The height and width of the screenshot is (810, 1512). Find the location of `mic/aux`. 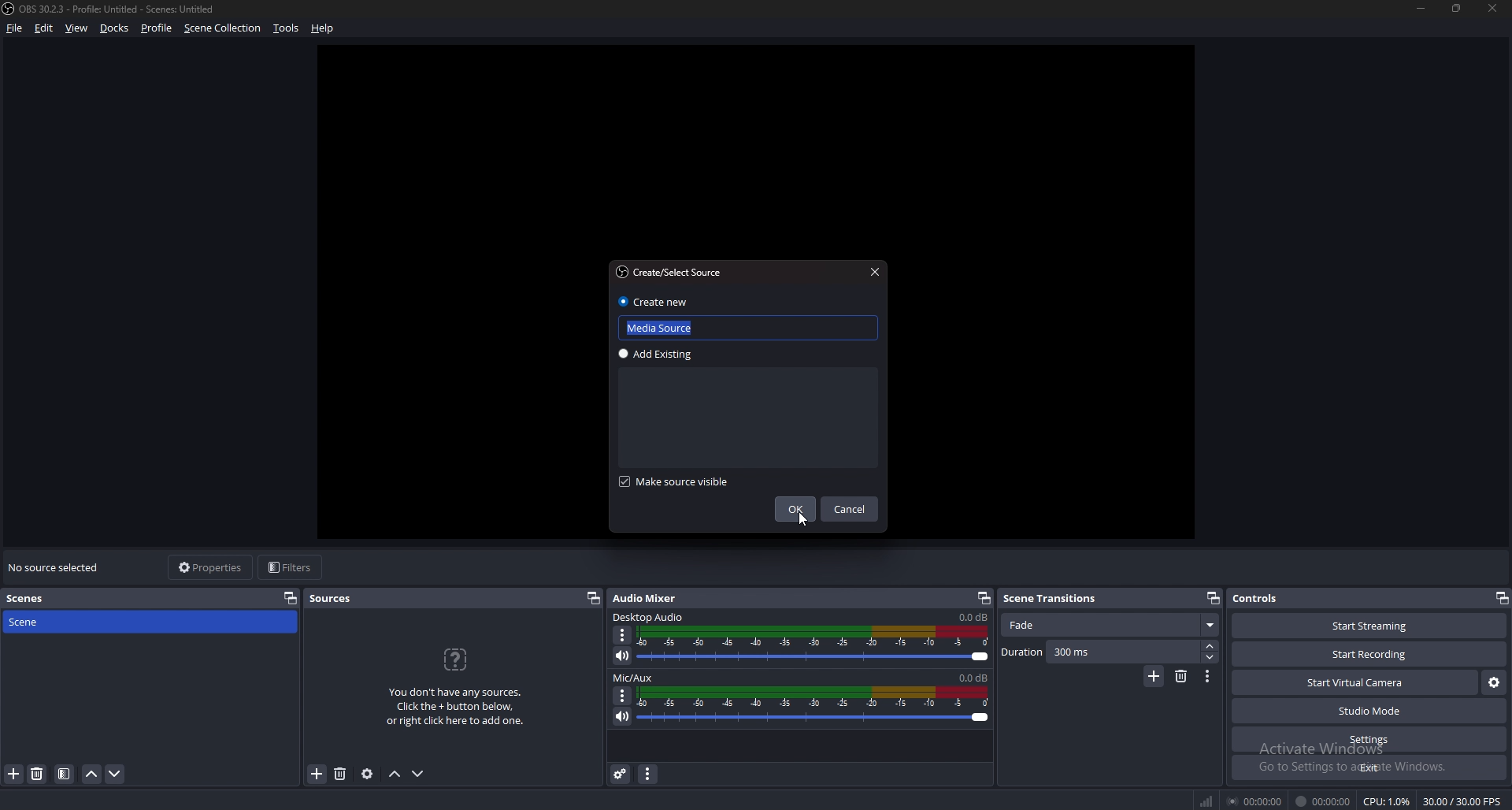

mic/aux is located at coordinates (636, 678).